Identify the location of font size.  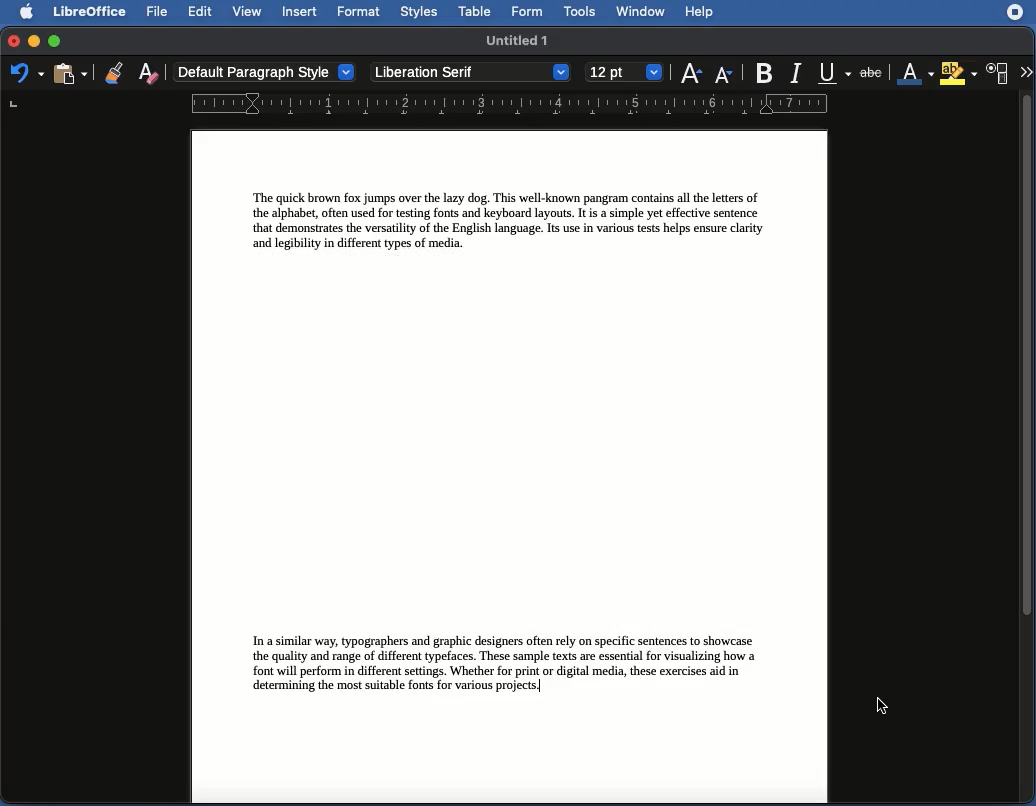
(621, 72).